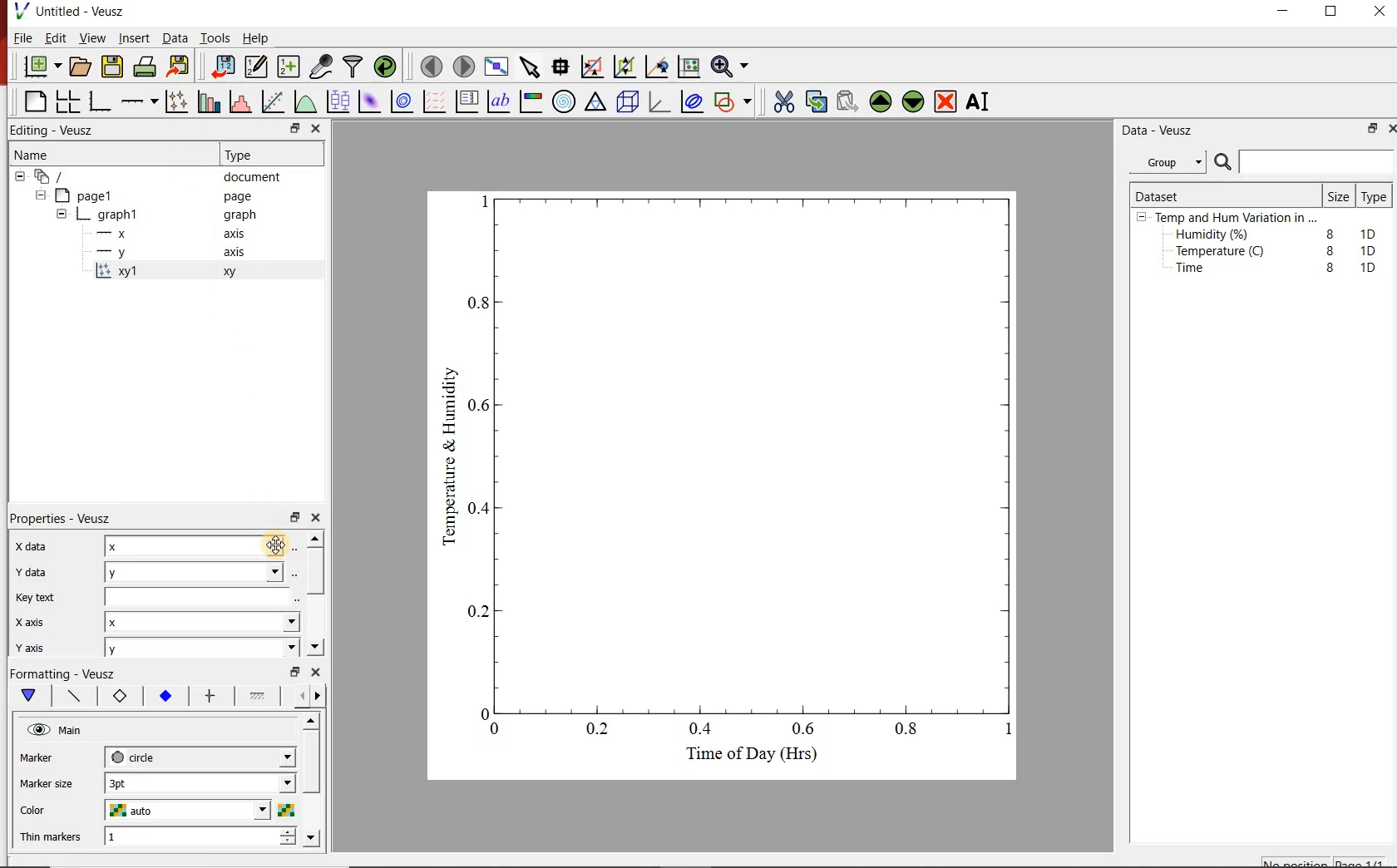 This screenshot has height=868, width=1397. I want to click on y axis, so click(42, 645).